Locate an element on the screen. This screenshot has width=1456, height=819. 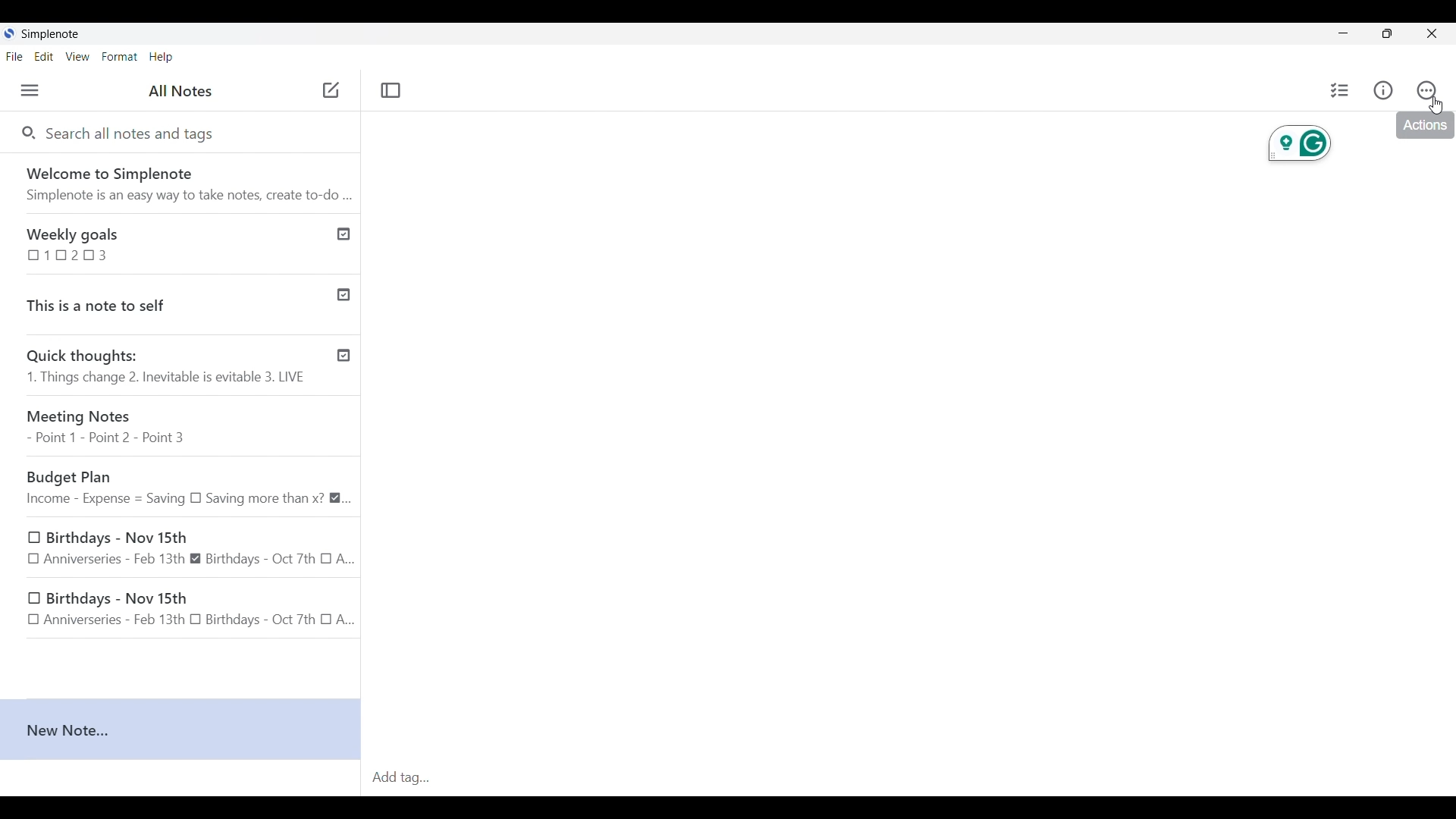
Weekly goals is located at coordinates (162, 243).